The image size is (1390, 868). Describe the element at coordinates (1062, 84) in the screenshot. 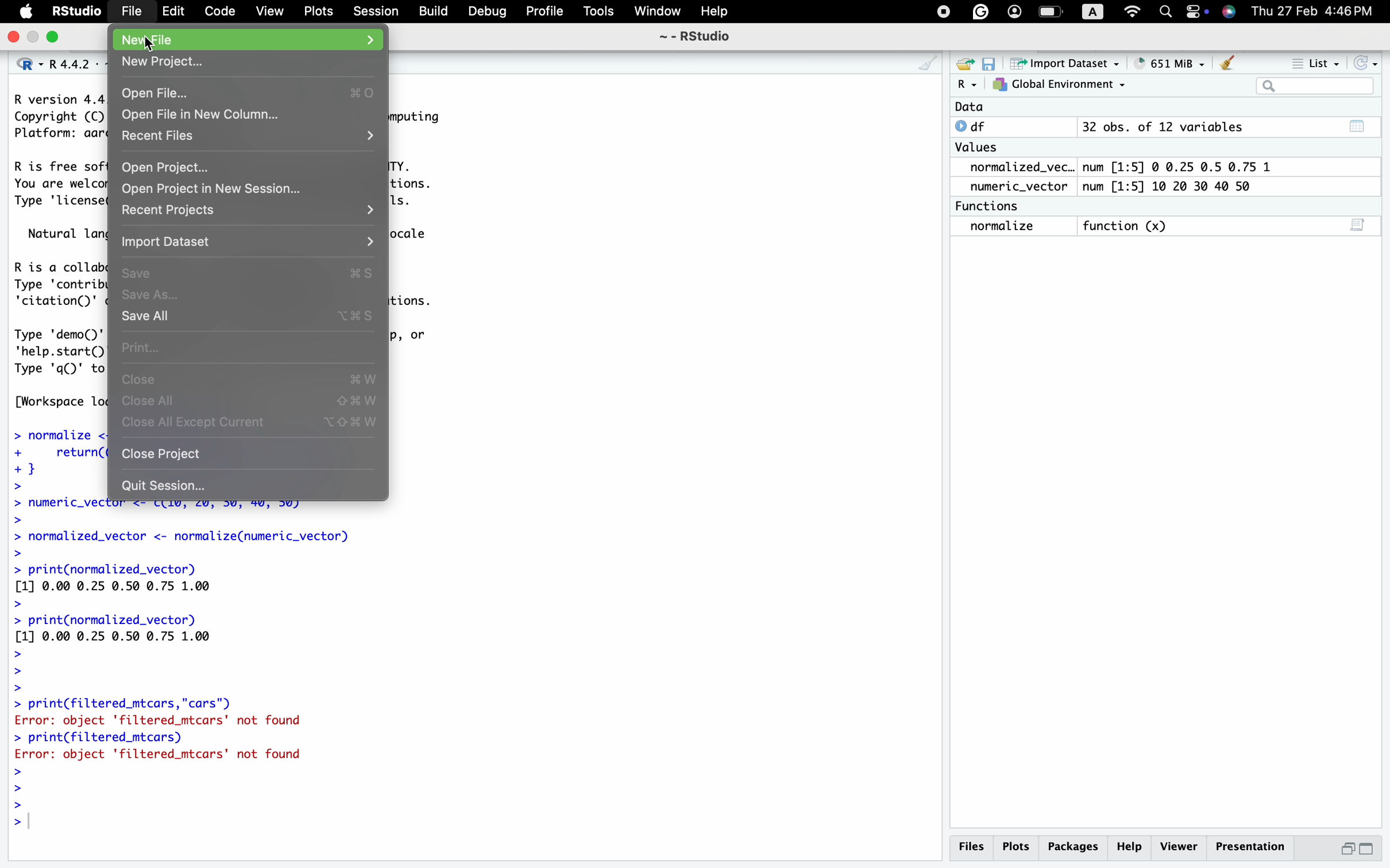

I see `7} Global Environment ~` at that location.